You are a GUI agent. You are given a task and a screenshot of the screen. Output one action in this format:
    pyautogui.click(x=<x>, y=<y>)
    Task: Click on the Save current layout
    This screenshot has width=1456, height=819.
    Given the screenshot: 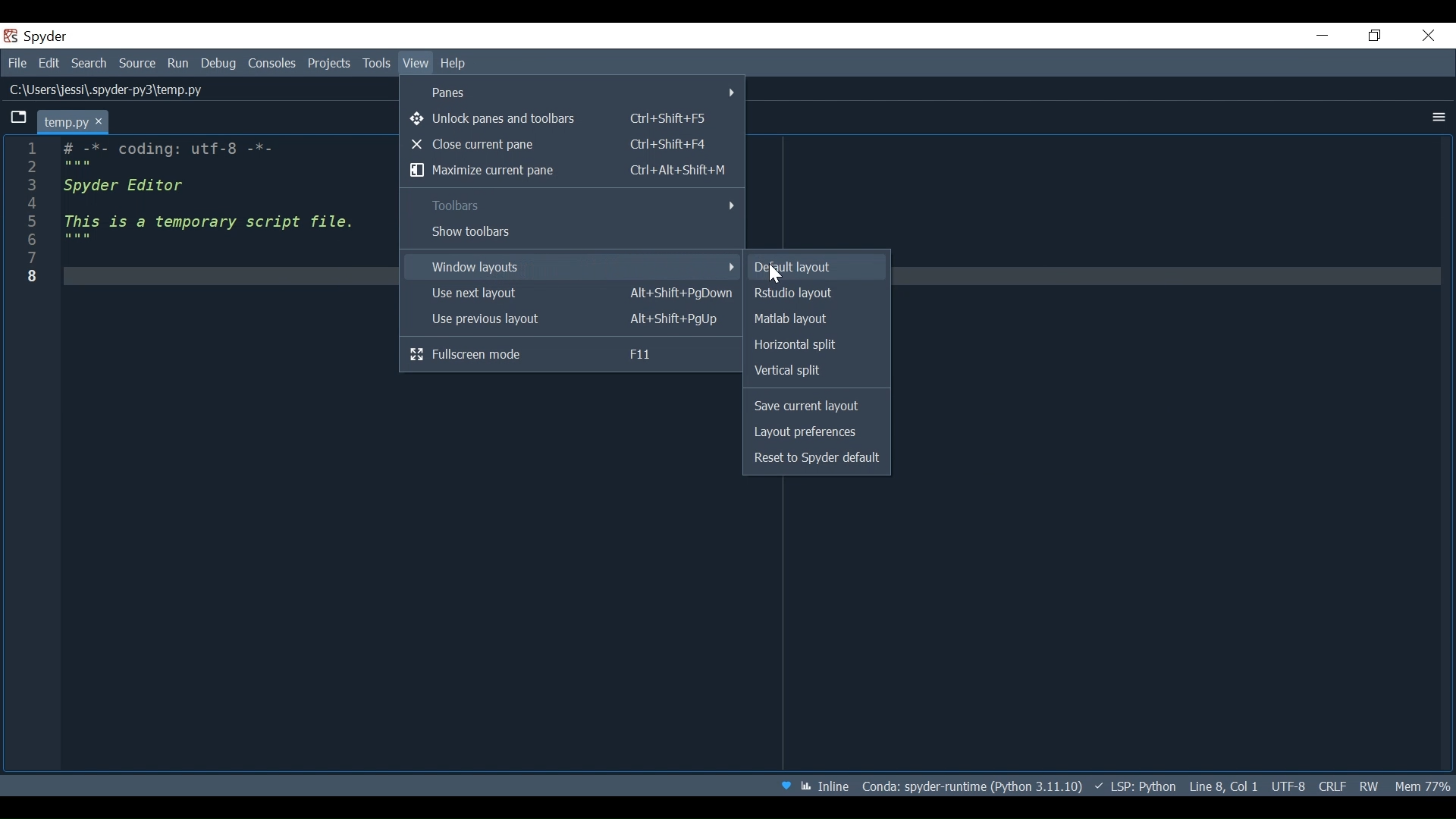 What is the action you would take?
    pyautogui.click(x=817, y=406)
    